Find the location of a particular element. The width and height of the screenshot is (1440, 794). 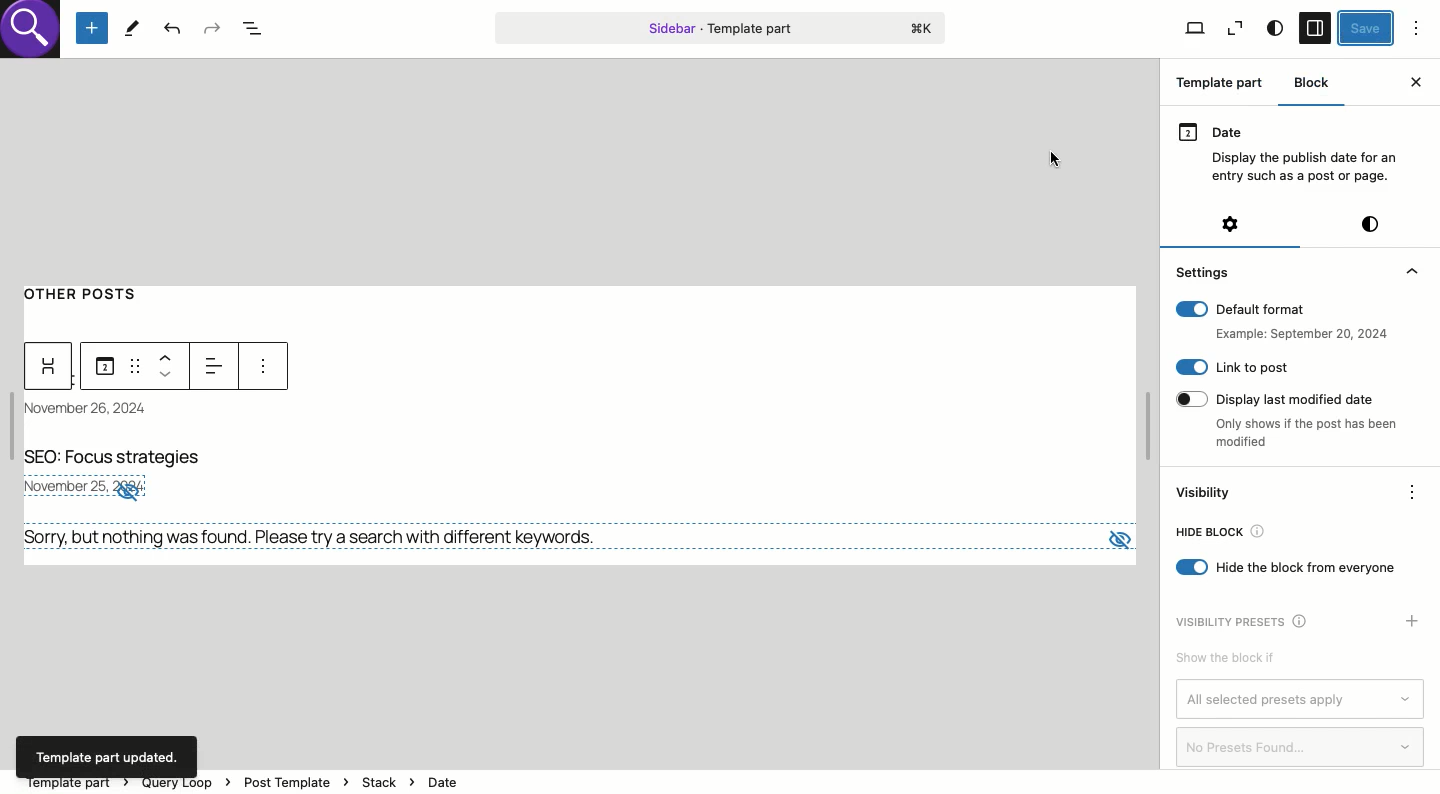

Options is located at coordinates (1417, 27).